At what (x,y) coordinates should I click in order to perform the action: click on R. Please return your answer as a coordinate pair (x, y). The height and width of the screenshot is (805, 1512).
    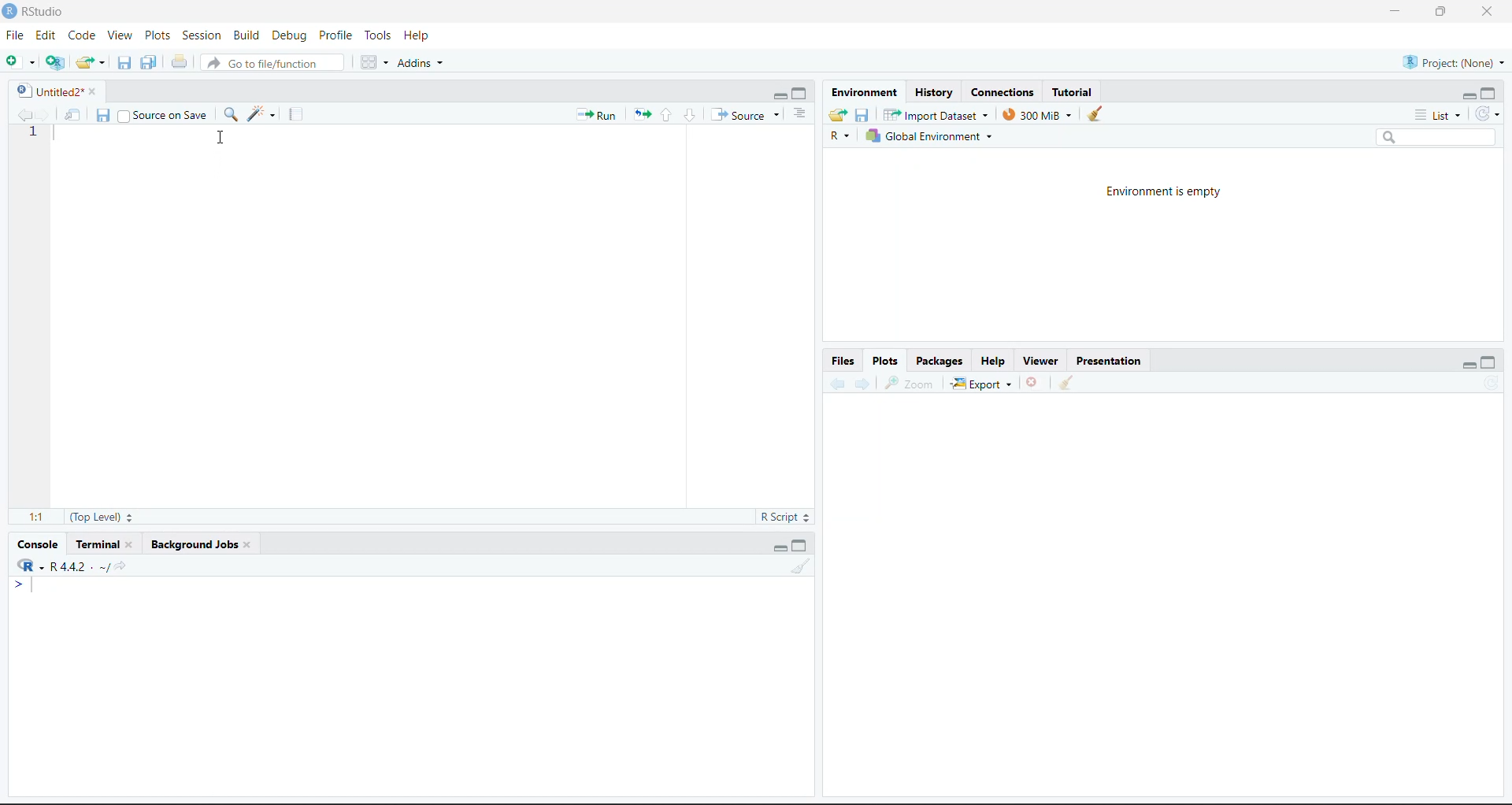
    Looking at the image, I should click on (838, 136).